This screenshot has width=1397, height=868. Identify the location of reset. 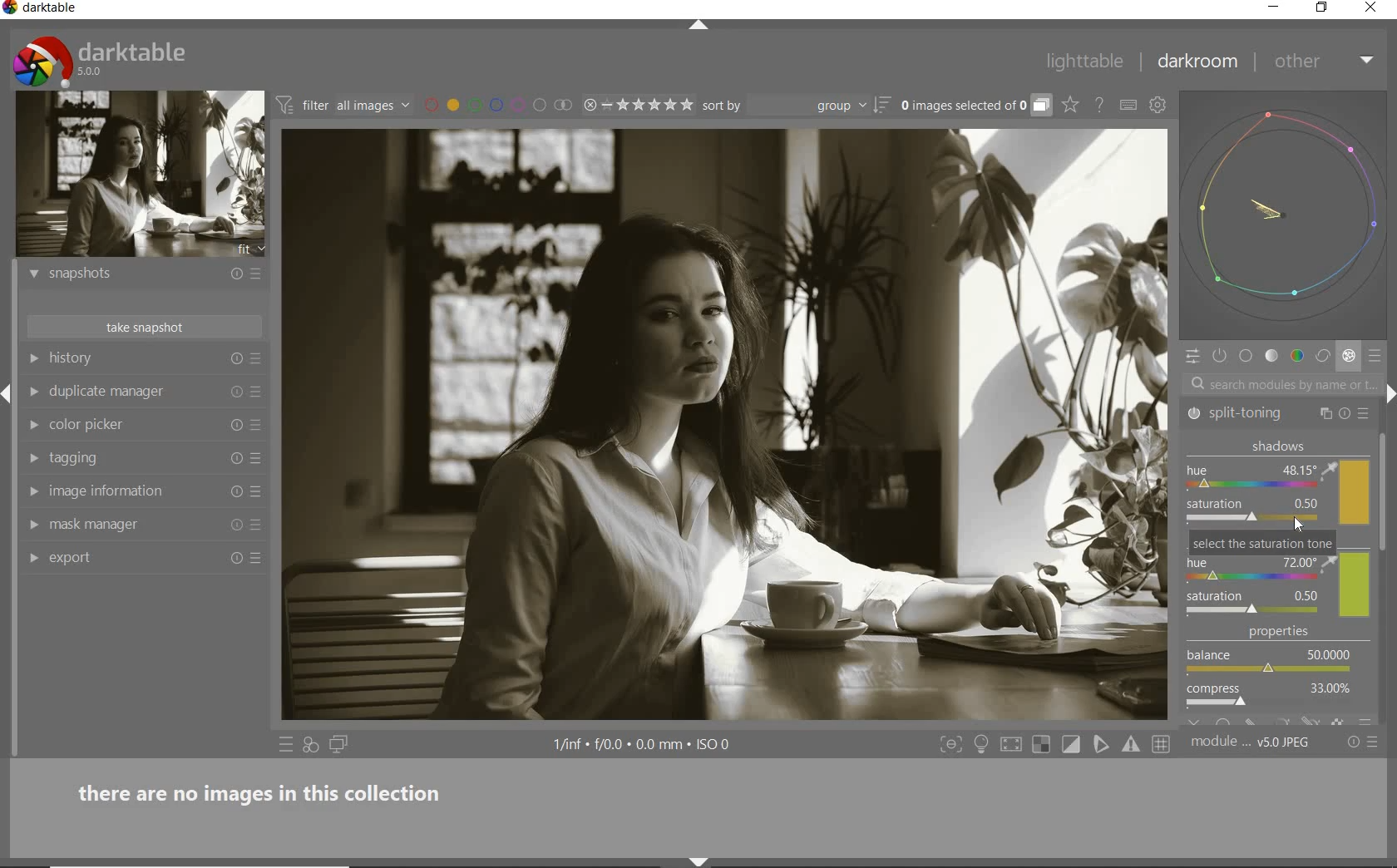
(234, 457).